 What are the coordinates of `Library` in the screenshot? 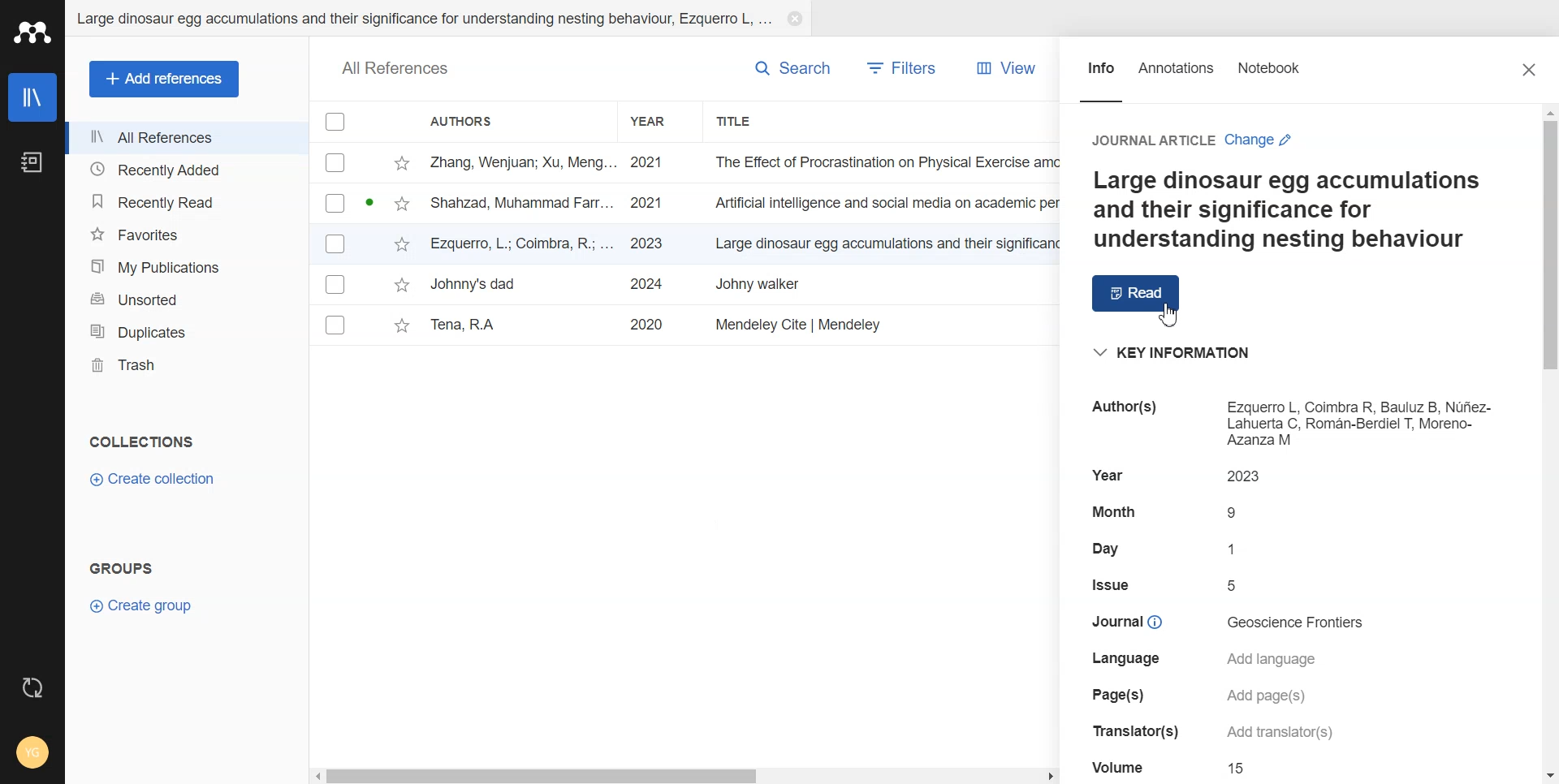 It's located at (32, 98).